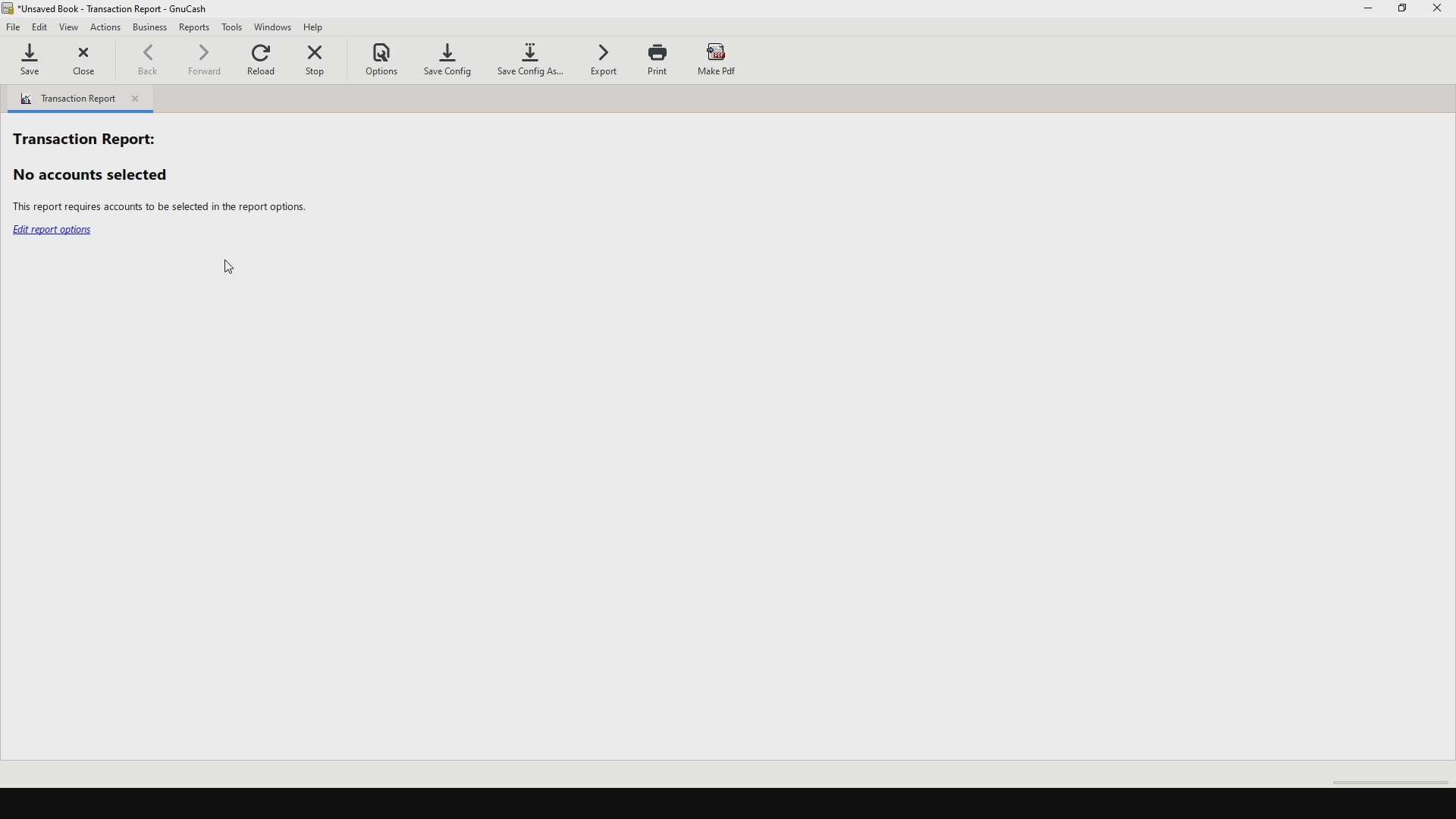  I want to click on maximize, so click(1404, 14).